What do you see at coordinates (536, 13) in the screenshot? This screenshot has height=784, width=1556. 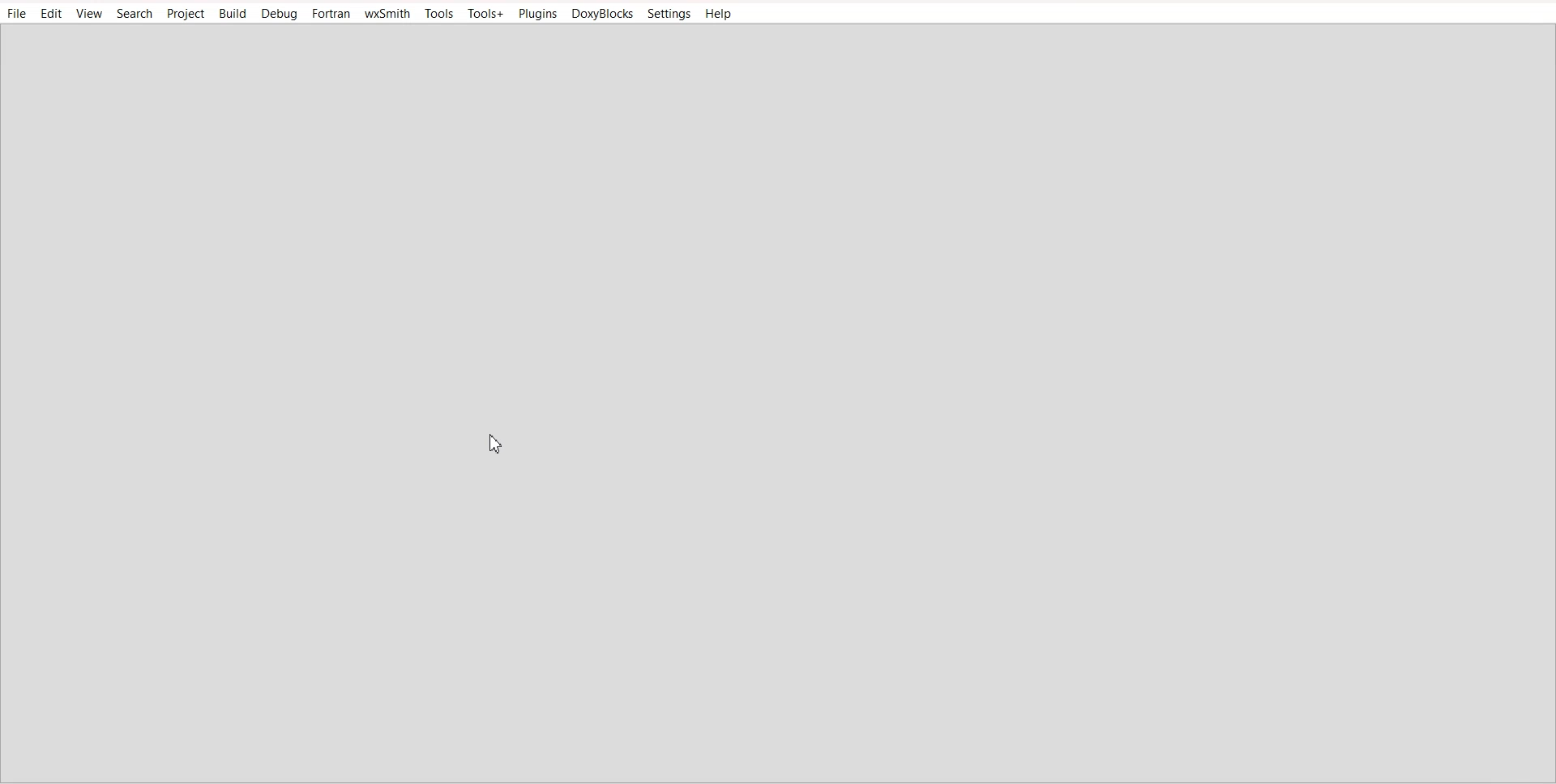 I see `Plugins` at bounding box center [536, 13].